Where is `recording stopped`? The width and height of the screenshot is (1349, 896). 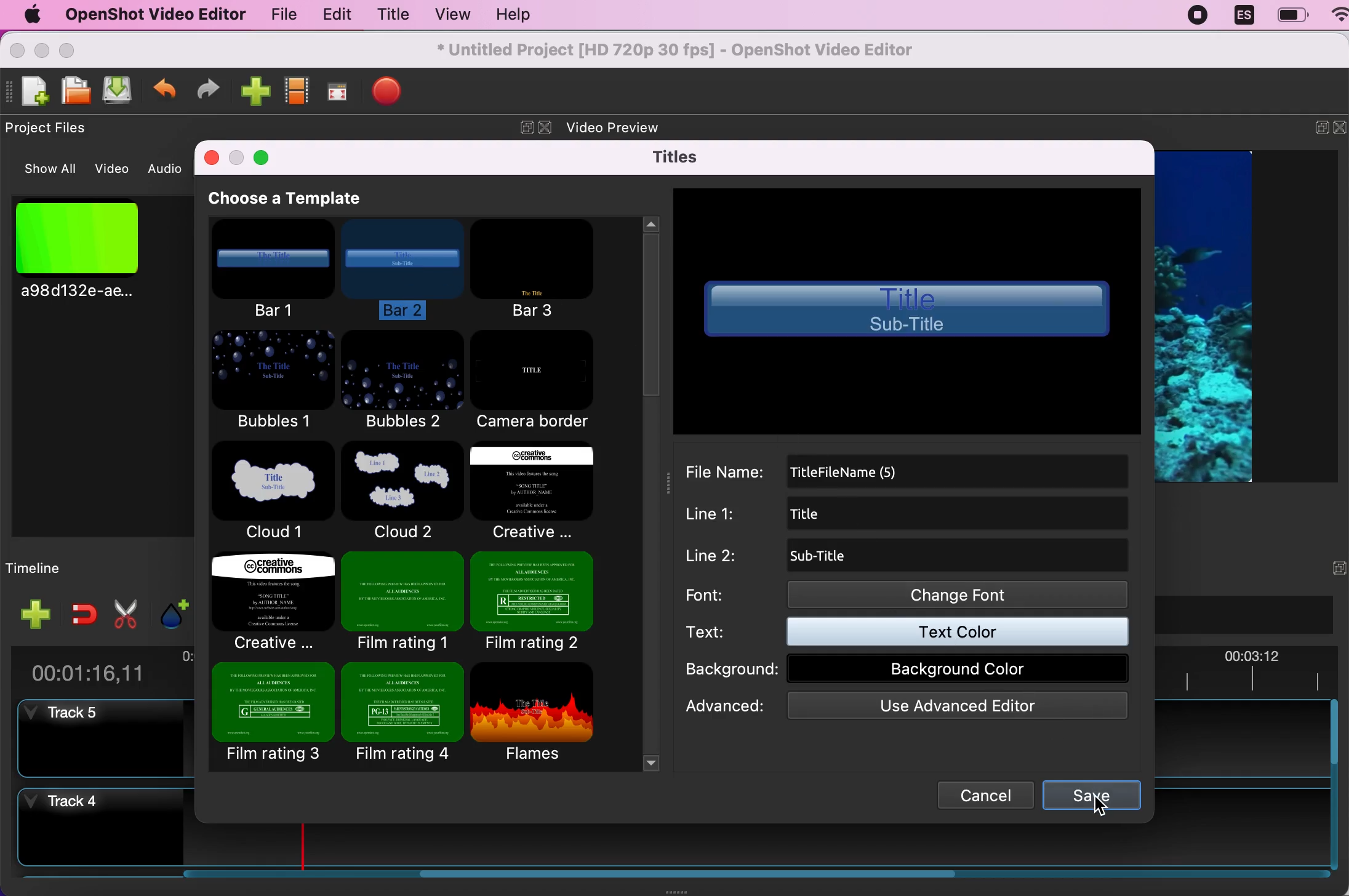
recording stopped is located at coordinates (1199, 18).